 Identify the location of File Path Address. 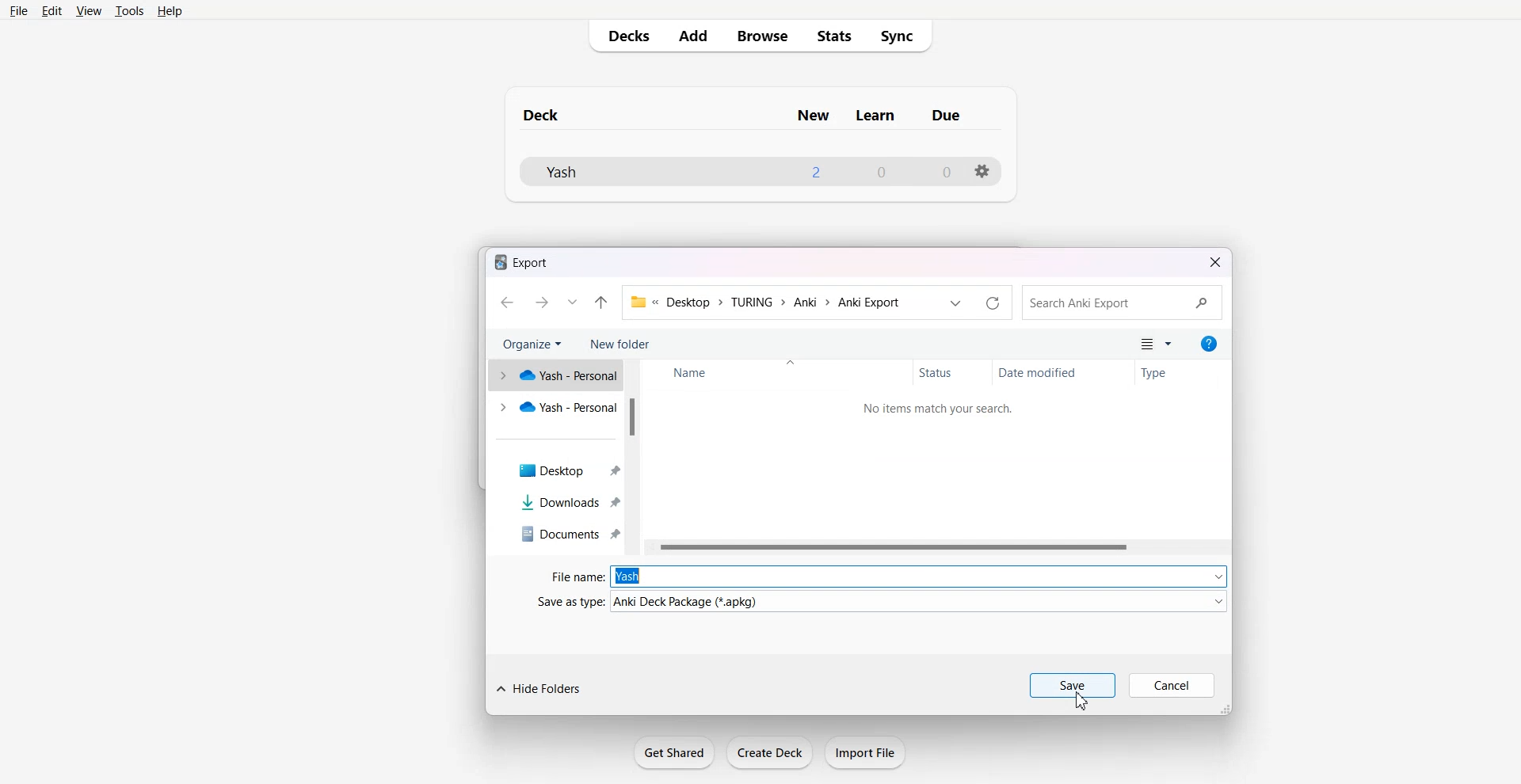
(768, 302).